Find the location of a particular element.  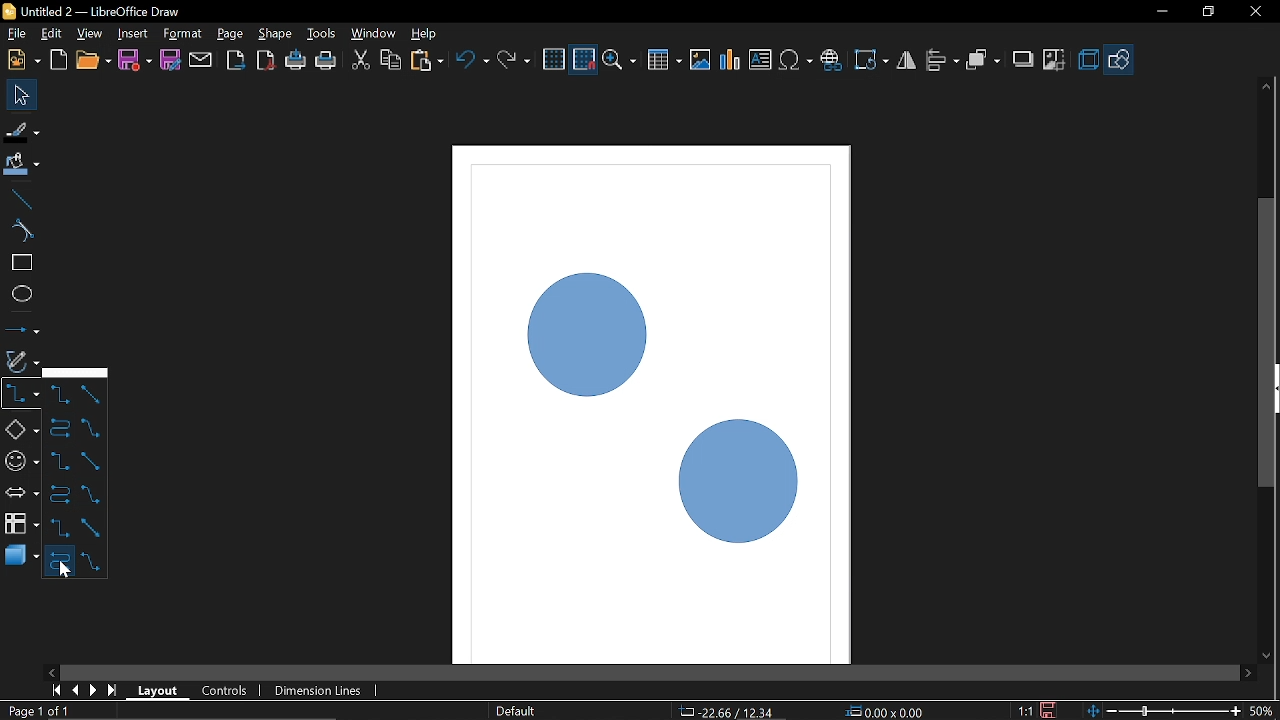

go to first page is located at coordinates (54, 691).